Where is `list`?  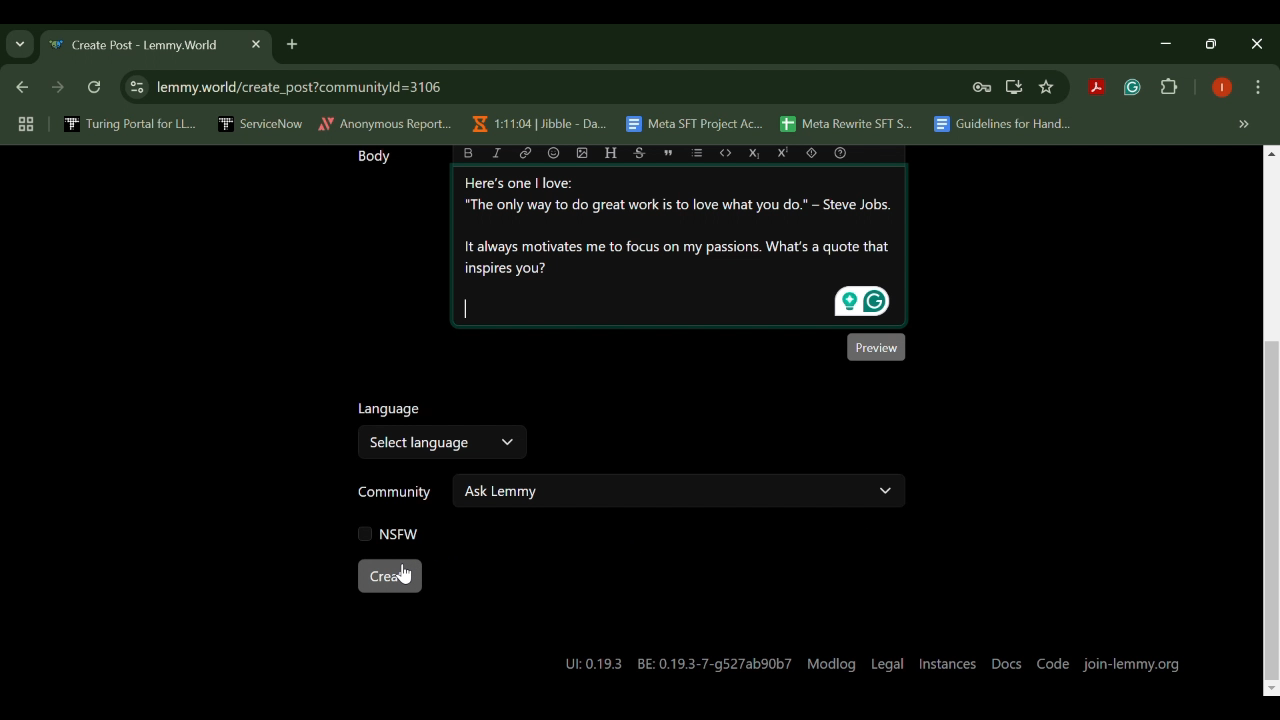 list is located at coordinates (699, 153).